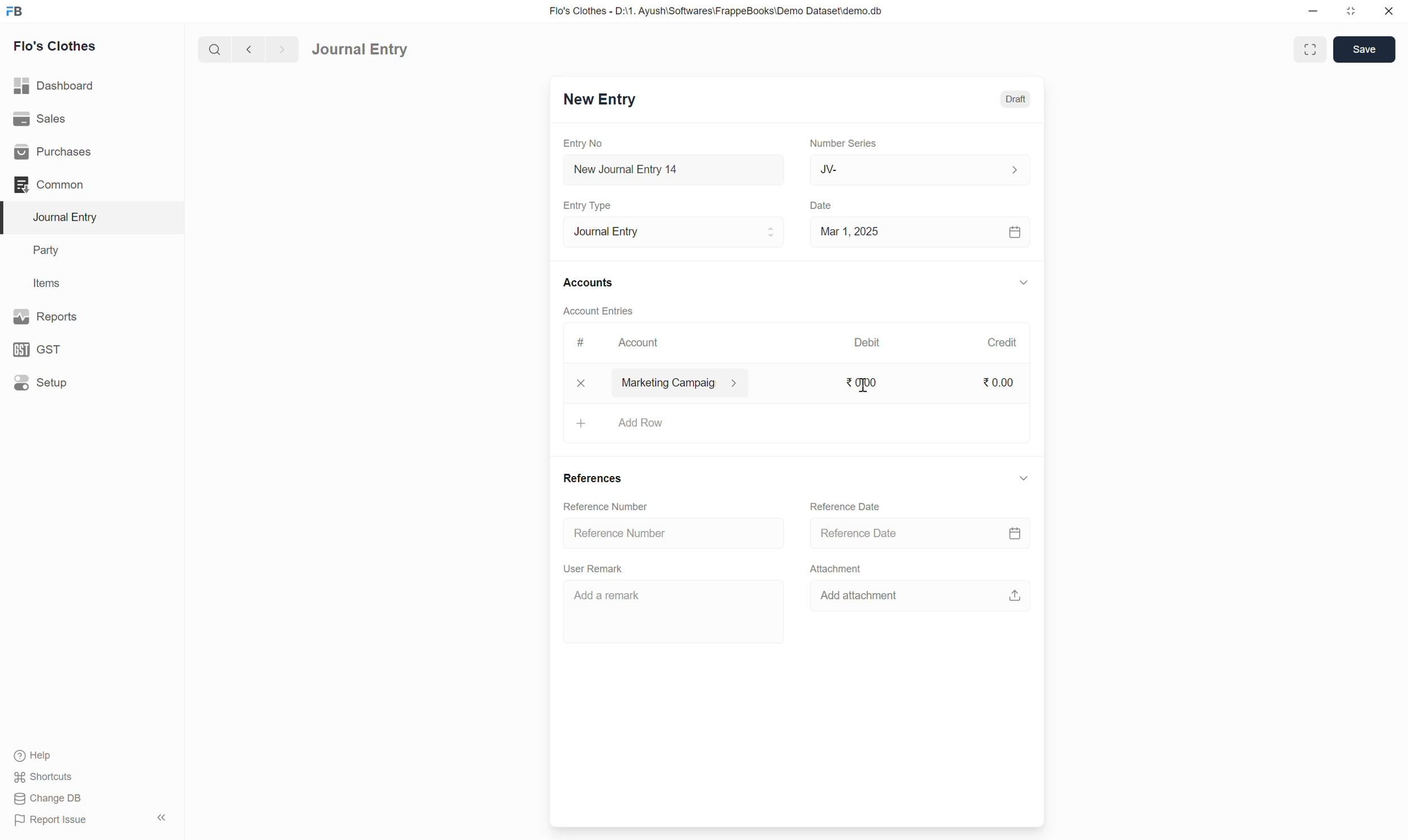  Describe the element at coordinates (57, 46) in the screenshot. I see `Flo's Clothes` at that location.